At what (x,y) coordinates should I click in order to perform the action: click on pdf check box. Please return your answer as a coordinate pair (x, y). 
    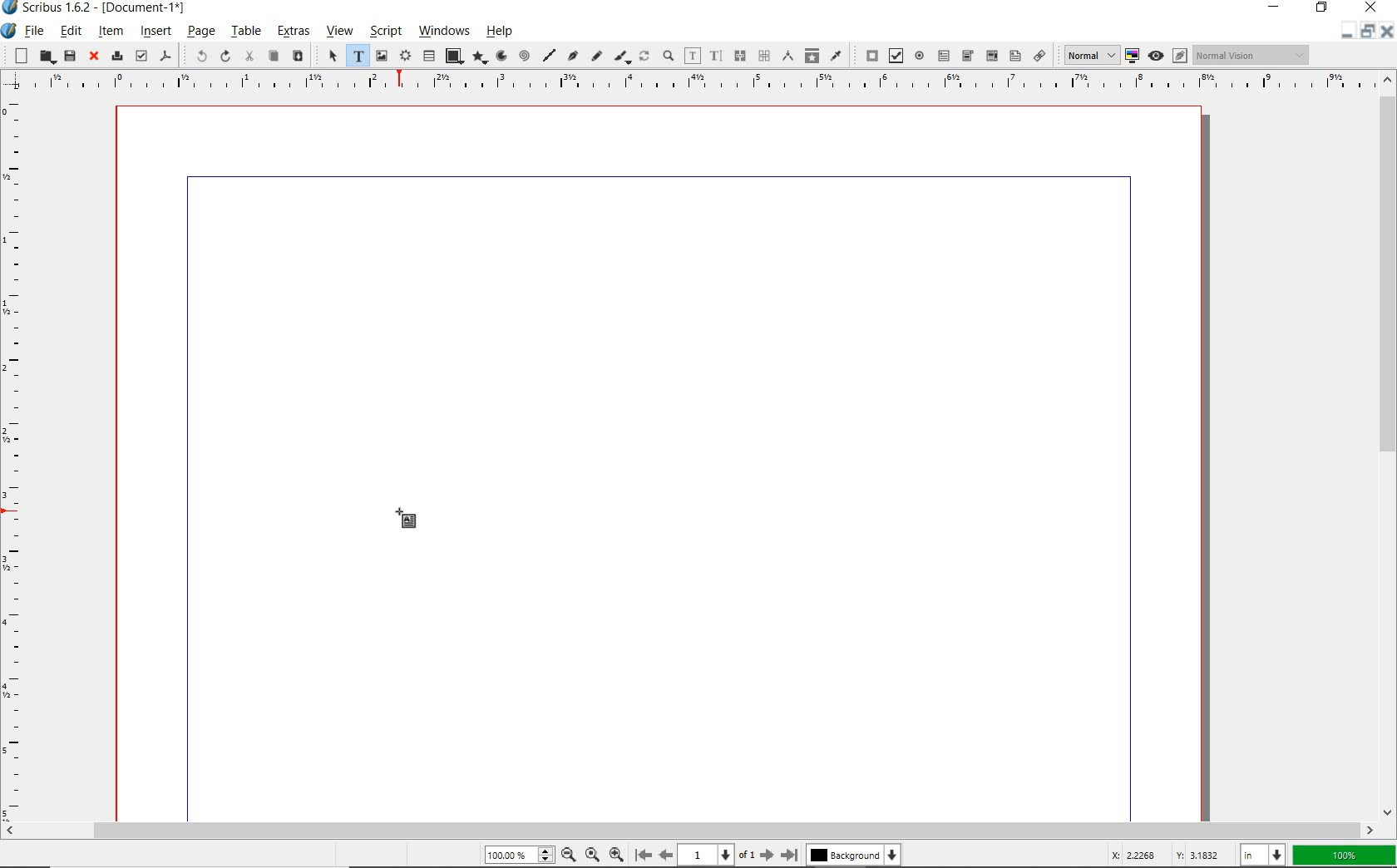
    Looking at the image, I should click on (895, 56).